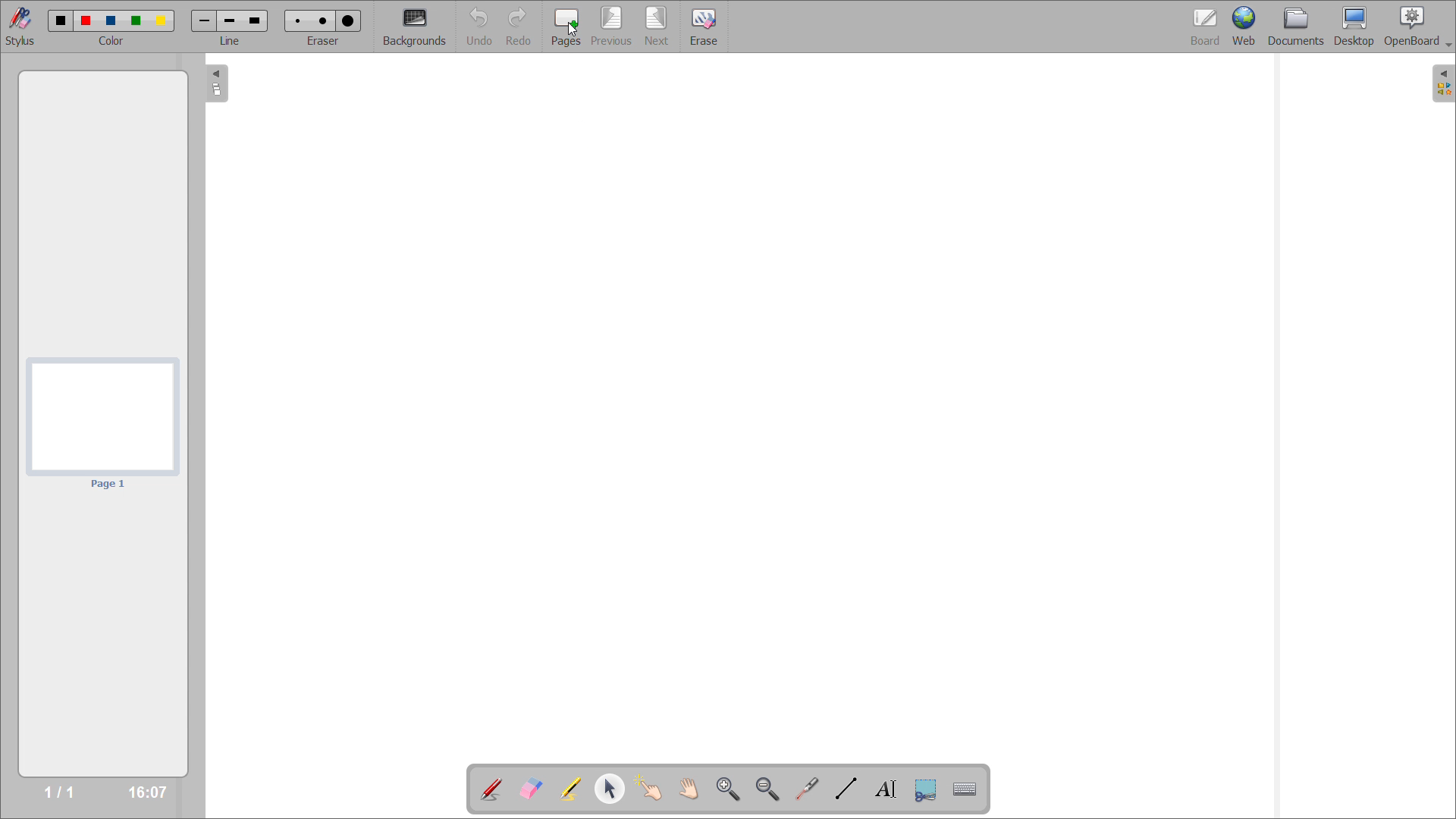 The height and width of the screenshot is (819, 1456). Describe the element at coordinates (214, 83) in the screenshot. I see `hide pages view` at that location.